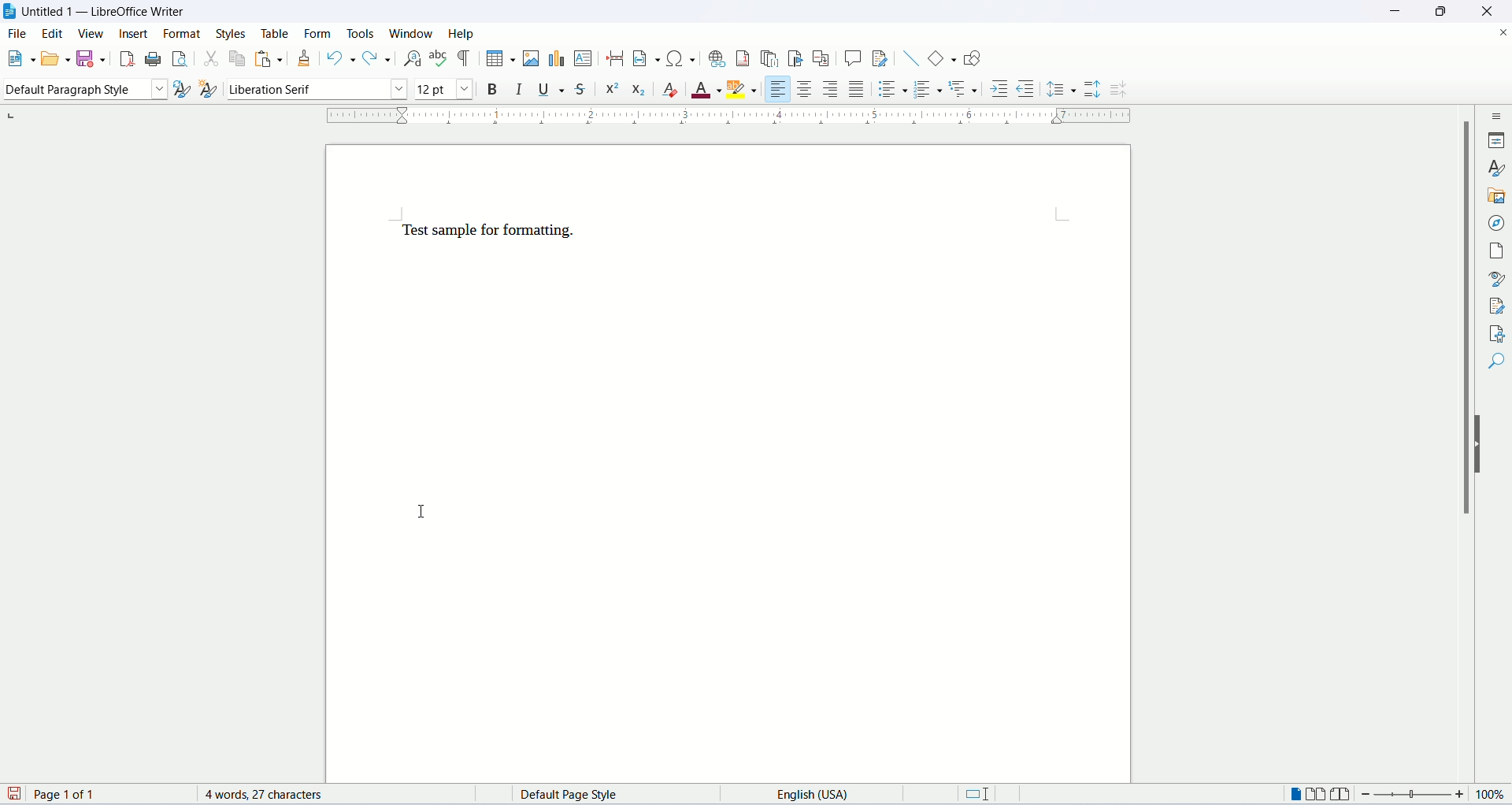 The height and width of the screenshot is (805, 1512). Describe the element at coordinates (83, 92) in the screenshot. I see `paragraph style` at that location.